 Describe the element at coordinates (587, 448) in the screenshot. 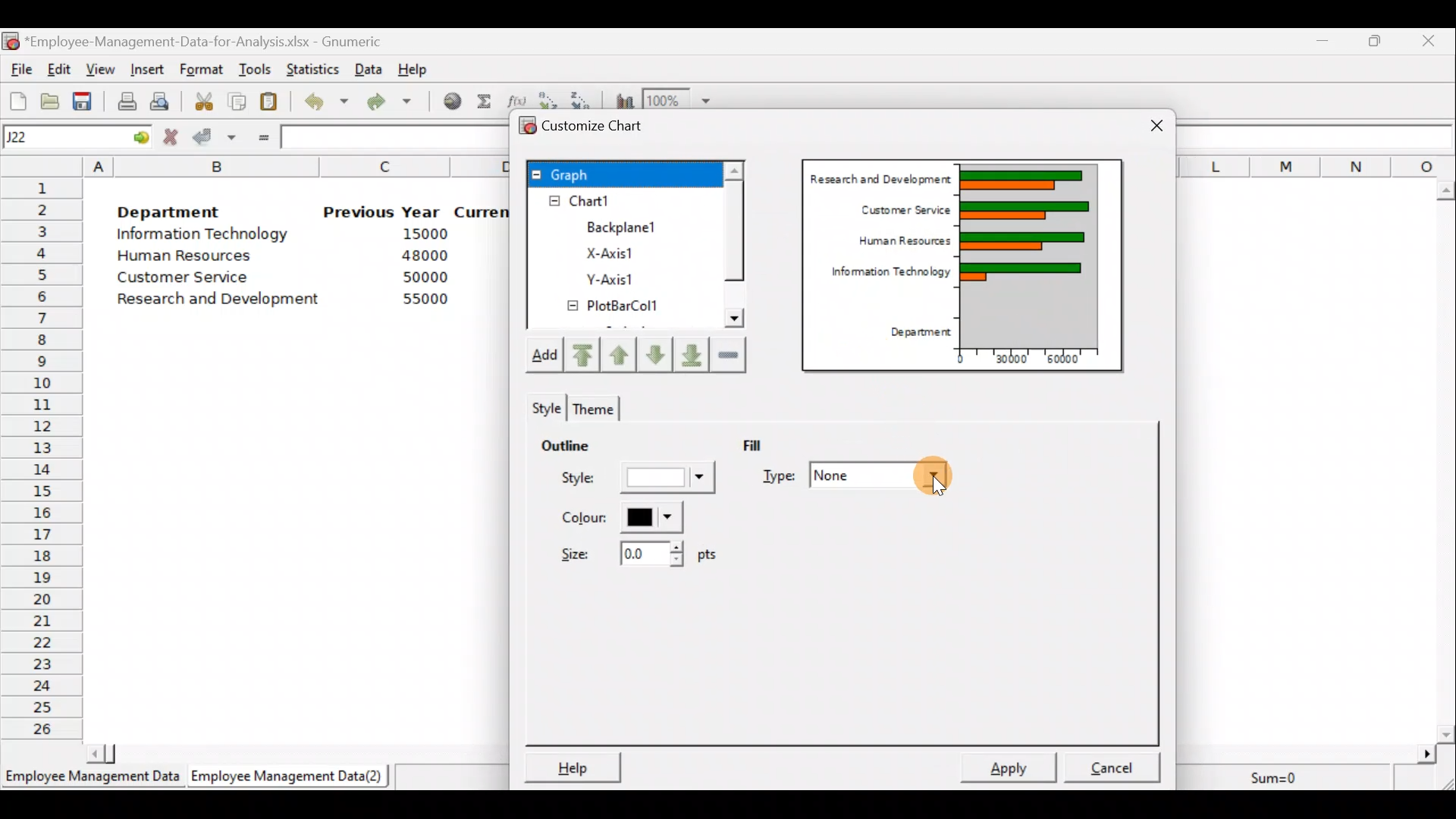

I see `Outline` at that location.